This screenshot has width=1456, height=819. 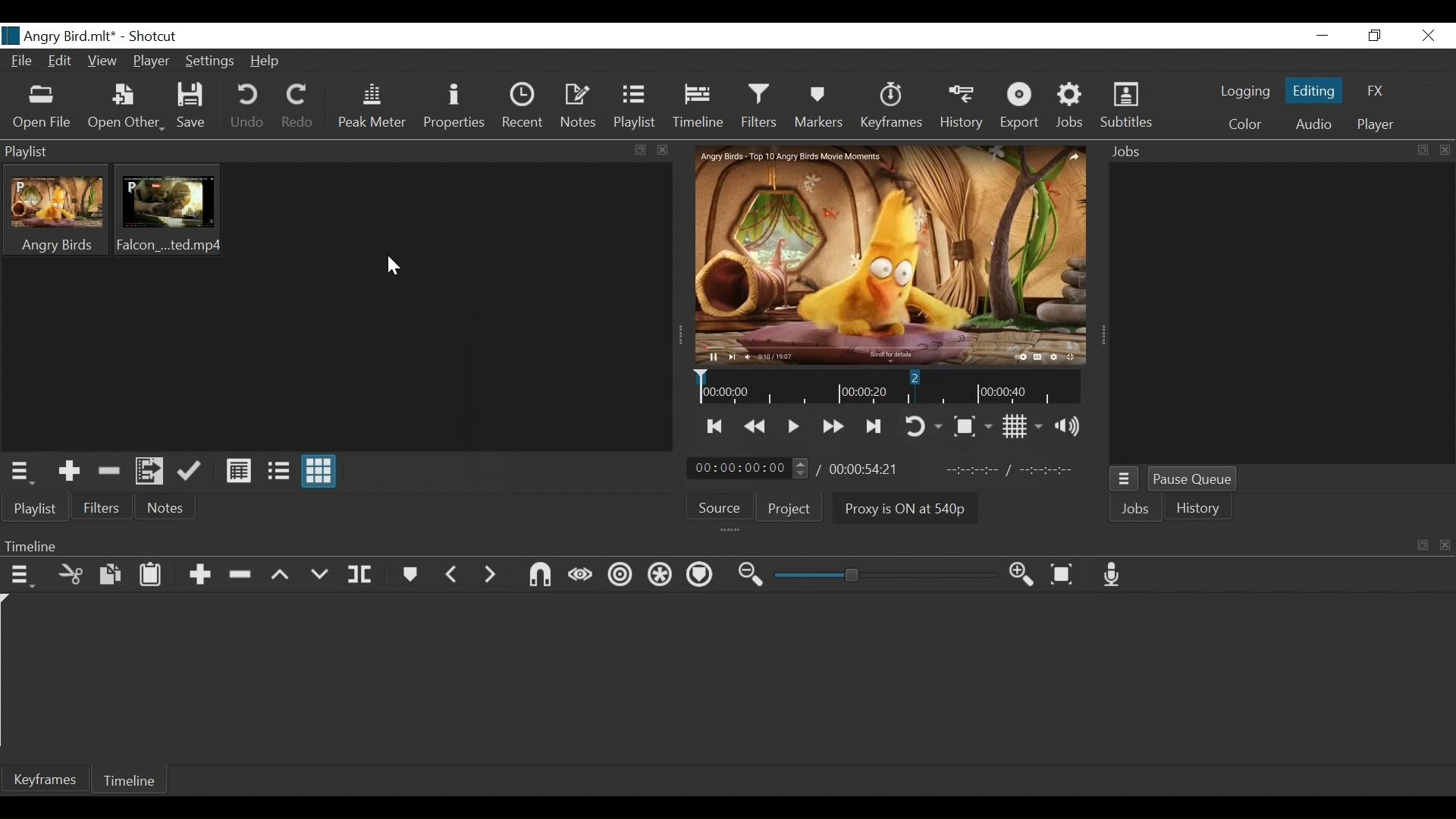 I want to click on Toggle player looping, so click(x=921, y=427).